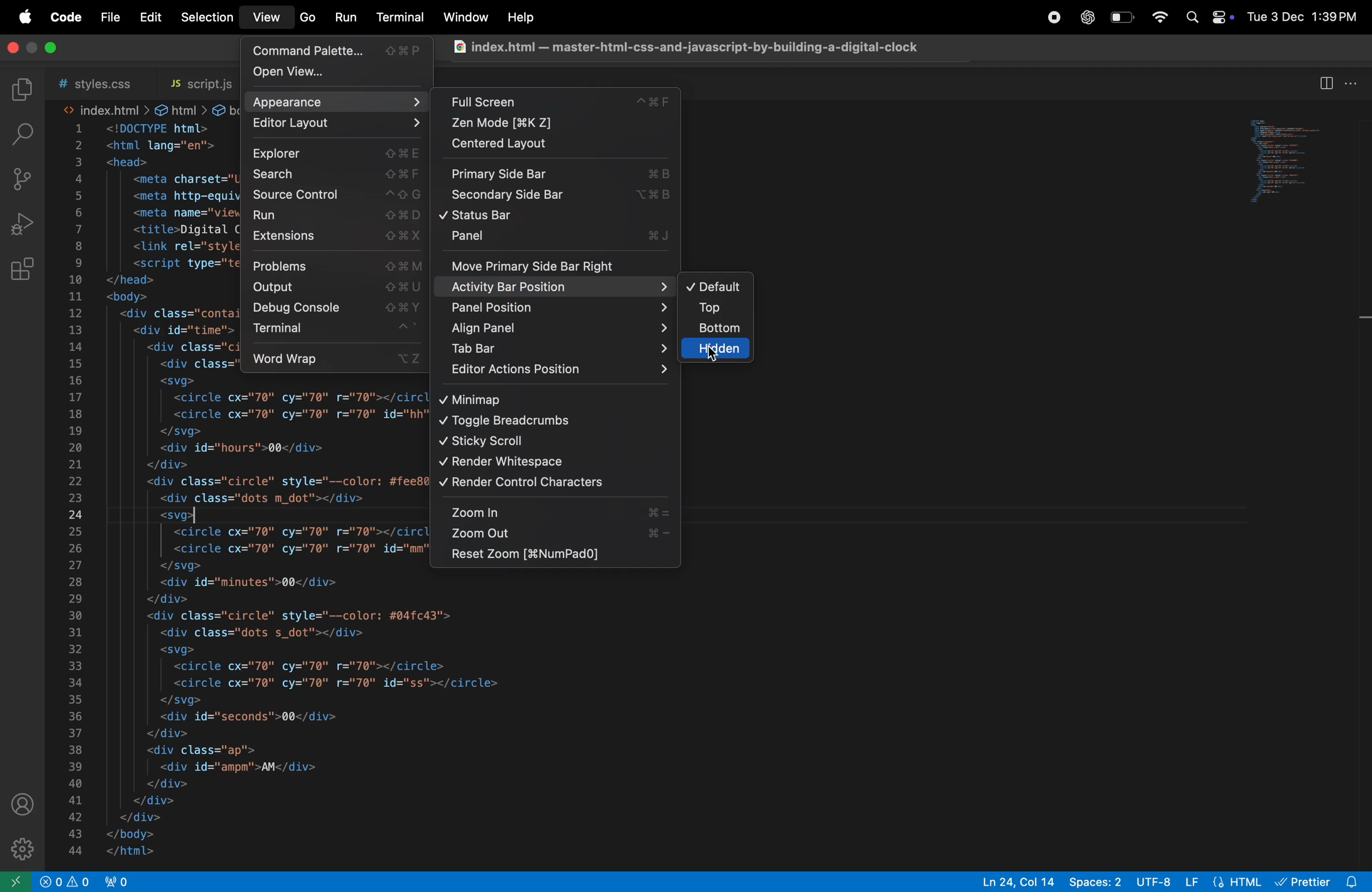 The image size is (1372, 892). What do you see at coordinates (332, 331) in the screenshot?
I see `terminal` at bounding box center [332, 331].